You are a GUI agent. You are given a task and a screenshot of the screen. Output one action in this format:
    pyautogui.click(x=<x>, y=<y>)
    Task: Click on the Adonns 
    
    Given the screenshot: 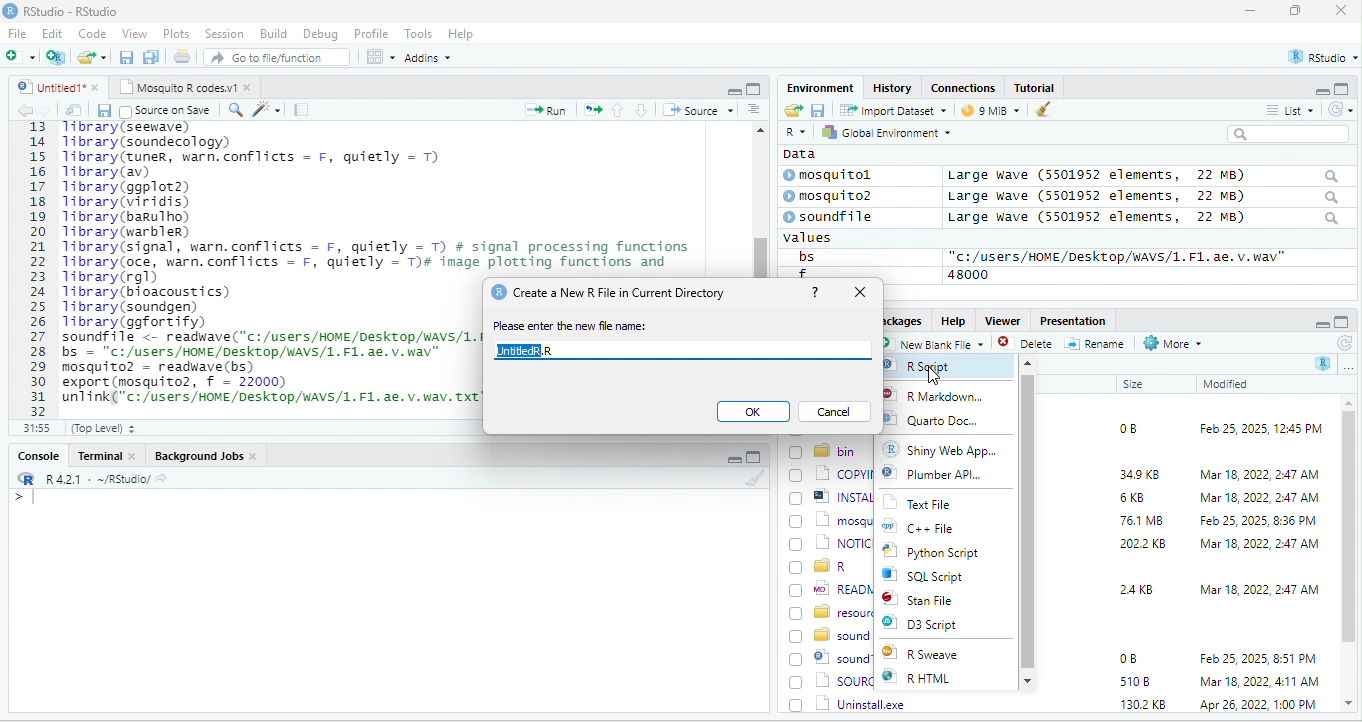 What is the action you would take?
    pyautogui.click(x=428, y=61)
    